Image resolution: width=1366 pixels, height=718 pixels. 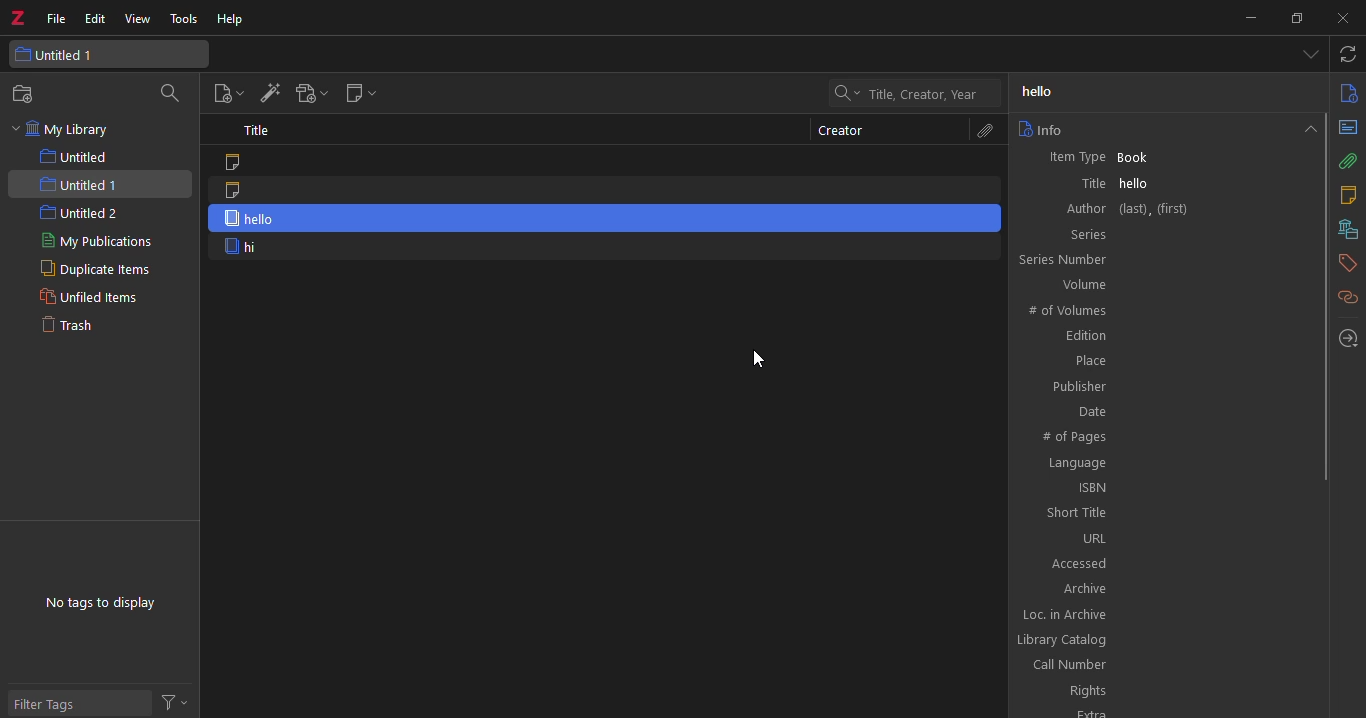 I want to click on creator, so click(x=841, y=131).